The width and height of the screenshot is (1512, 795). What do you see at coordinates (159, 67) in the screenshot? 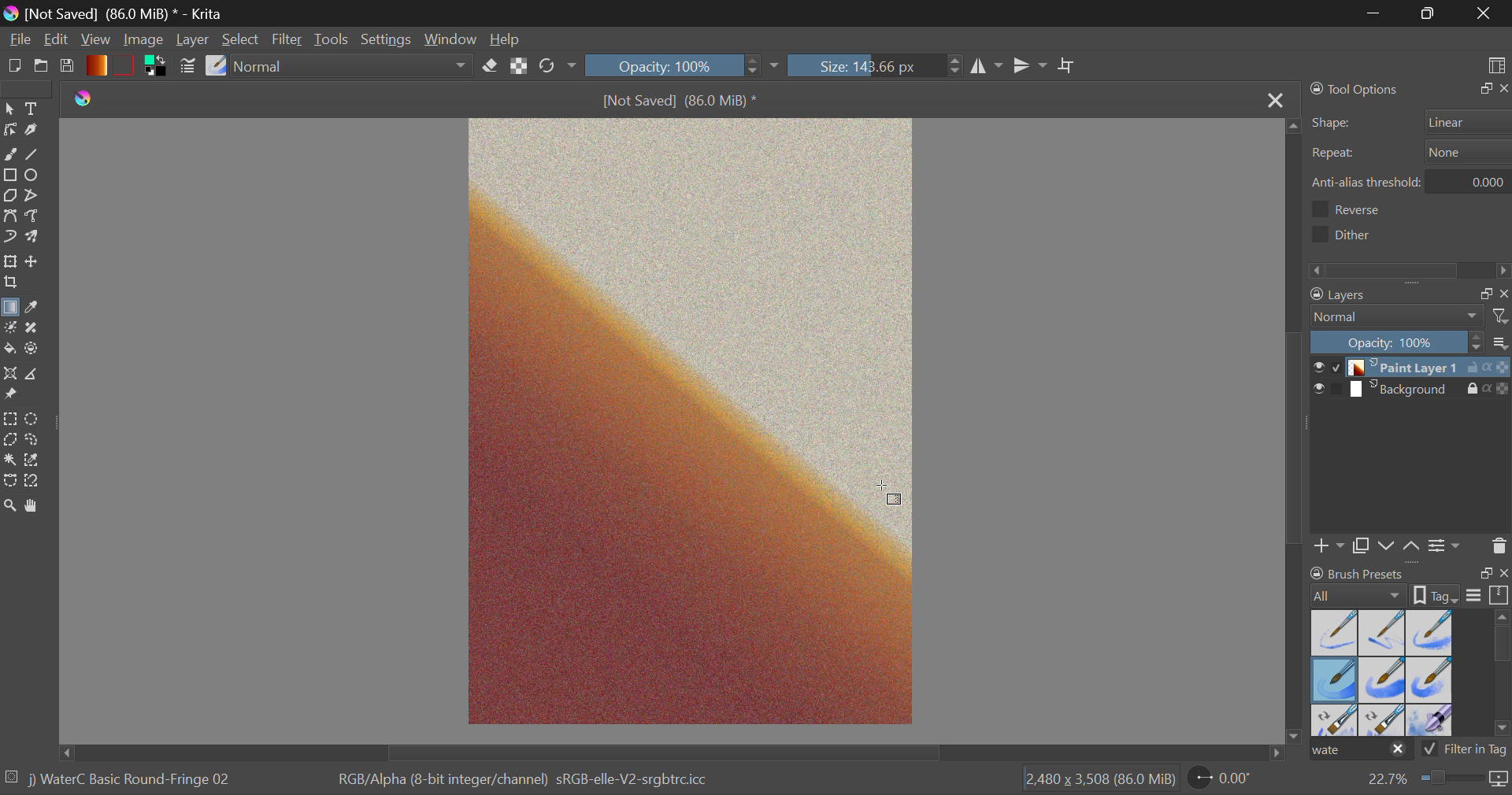
I see `Colors in Use` at bounding box center [159, 67].